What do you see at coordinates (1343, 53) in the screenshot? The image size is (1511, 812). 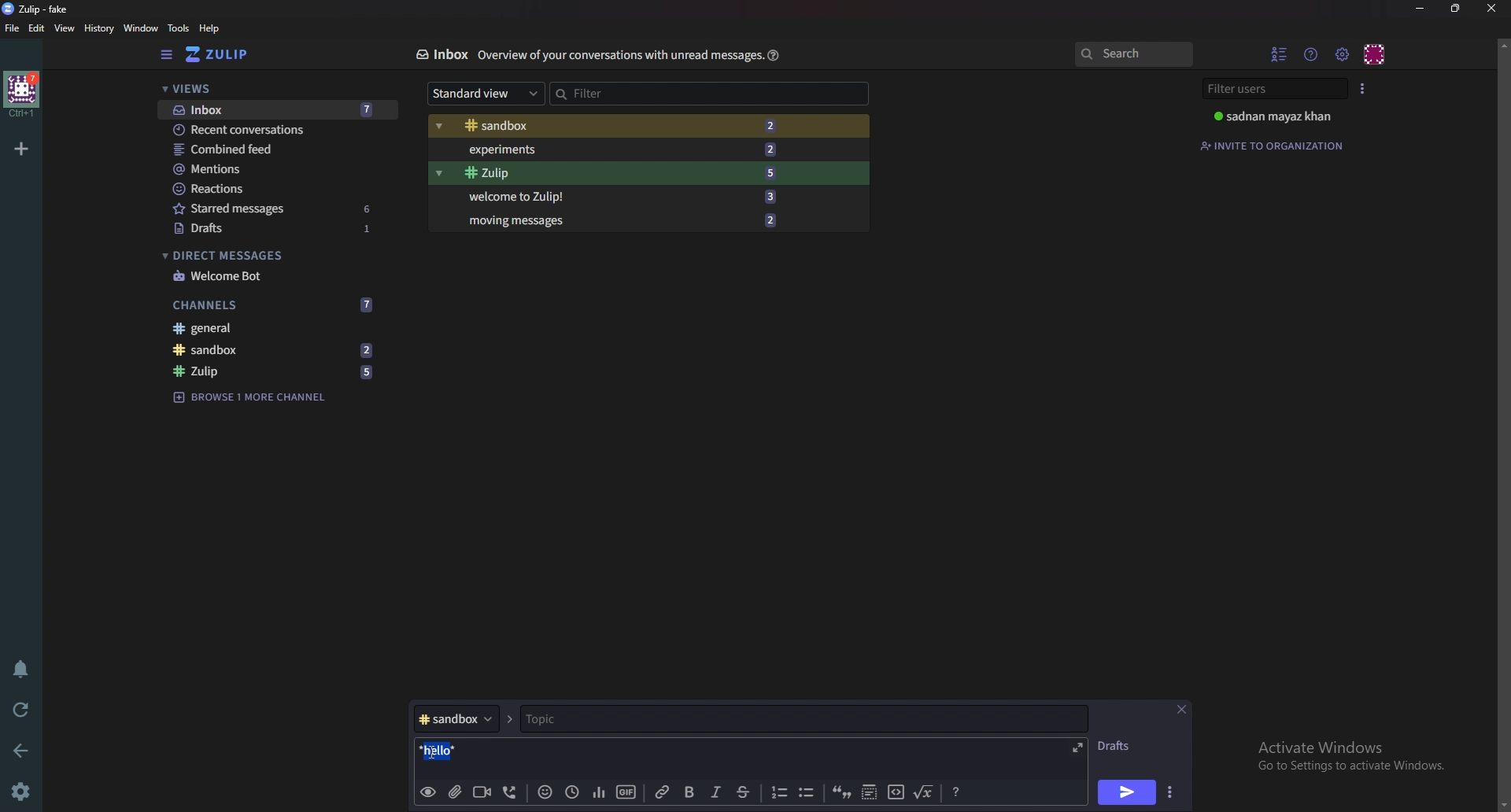 I see `Main menu` at bounding box center [1343, 53].